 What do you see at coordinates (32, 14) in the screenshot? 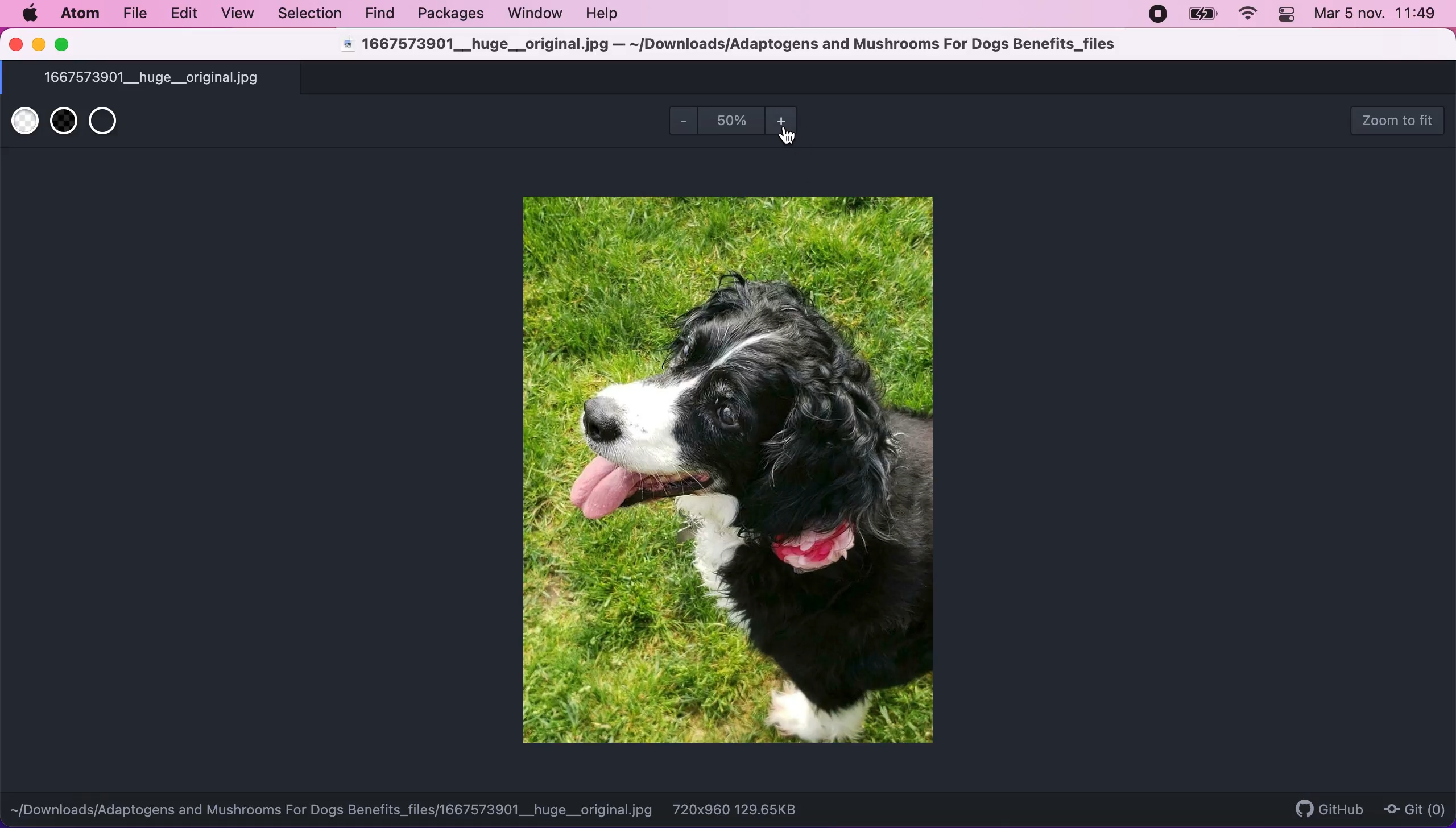
I see `mac logo` at bounding box center [32, 14].